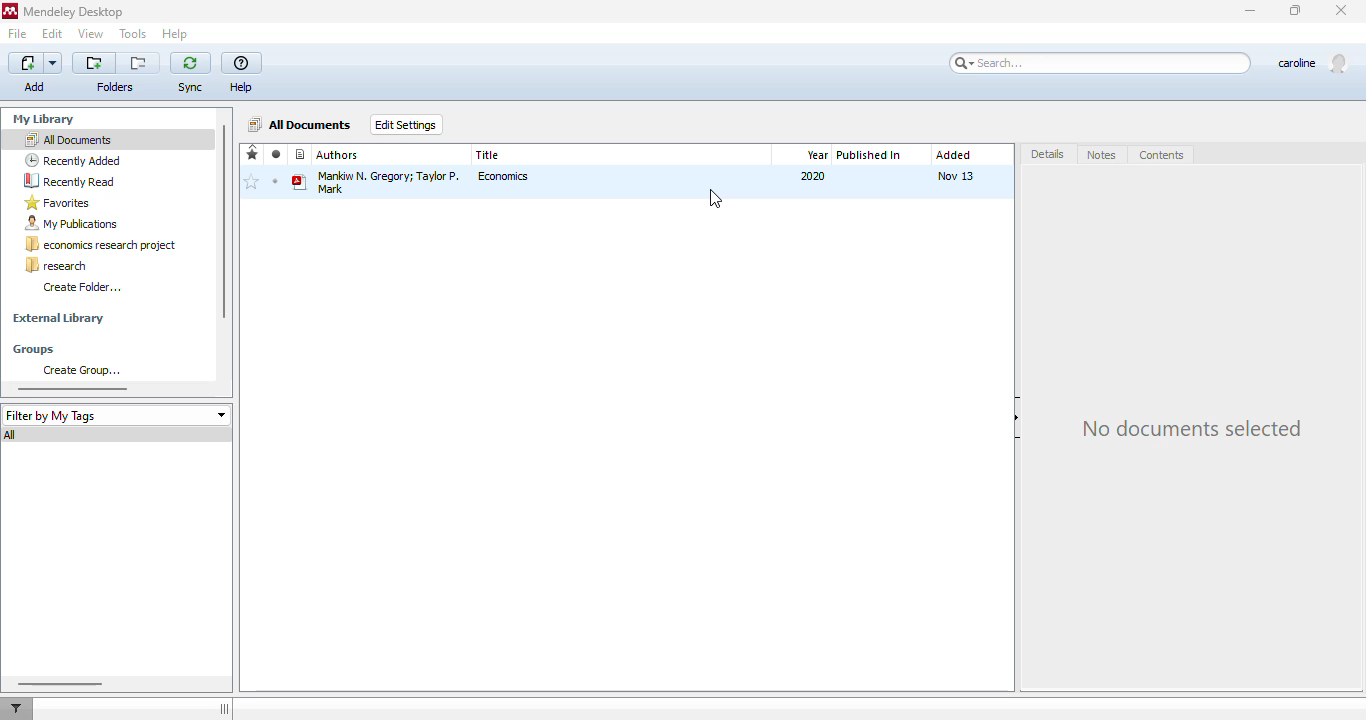 The width and height of the screenshot is (1366, 720). I want to click on cursor, so click(715, 199).